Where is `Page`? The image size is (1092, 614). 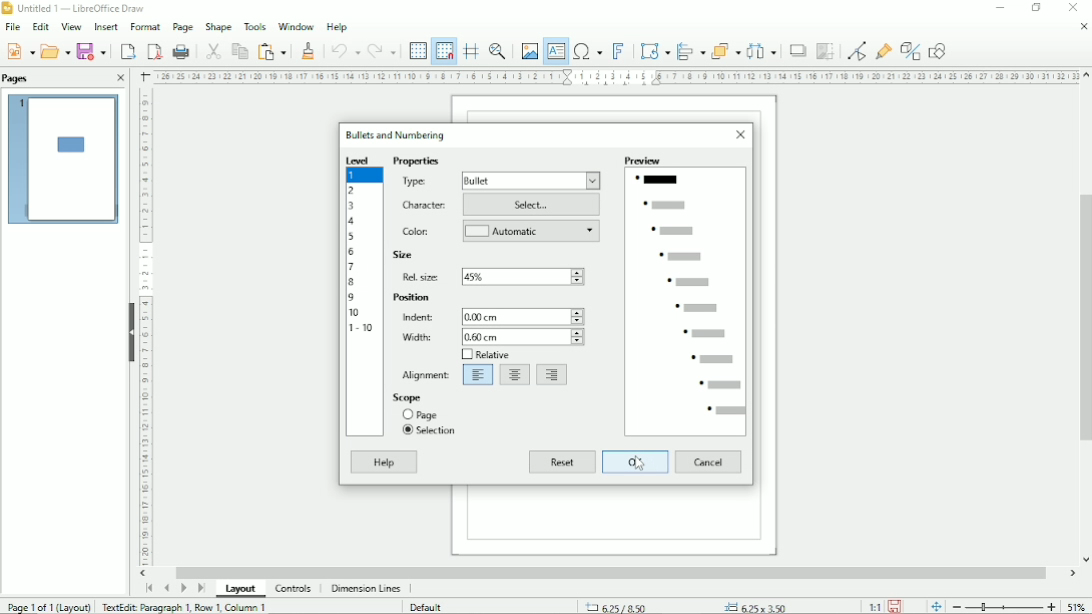
Page is located at coordinates (183, 27).